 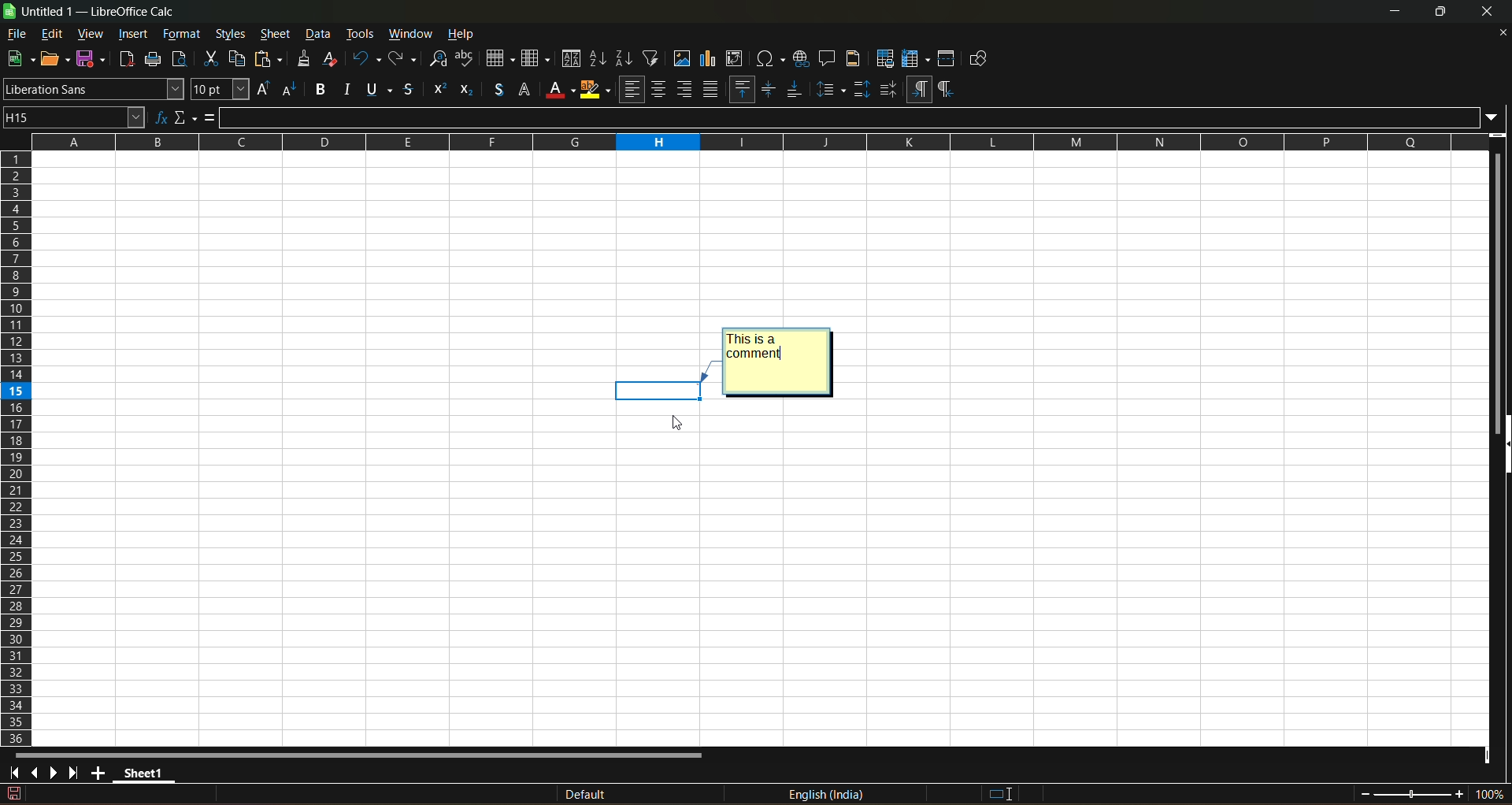 What do you see at coordinates (757, 89) in the screenshot?
I see `format as percent` at bounding box center [757, 89].